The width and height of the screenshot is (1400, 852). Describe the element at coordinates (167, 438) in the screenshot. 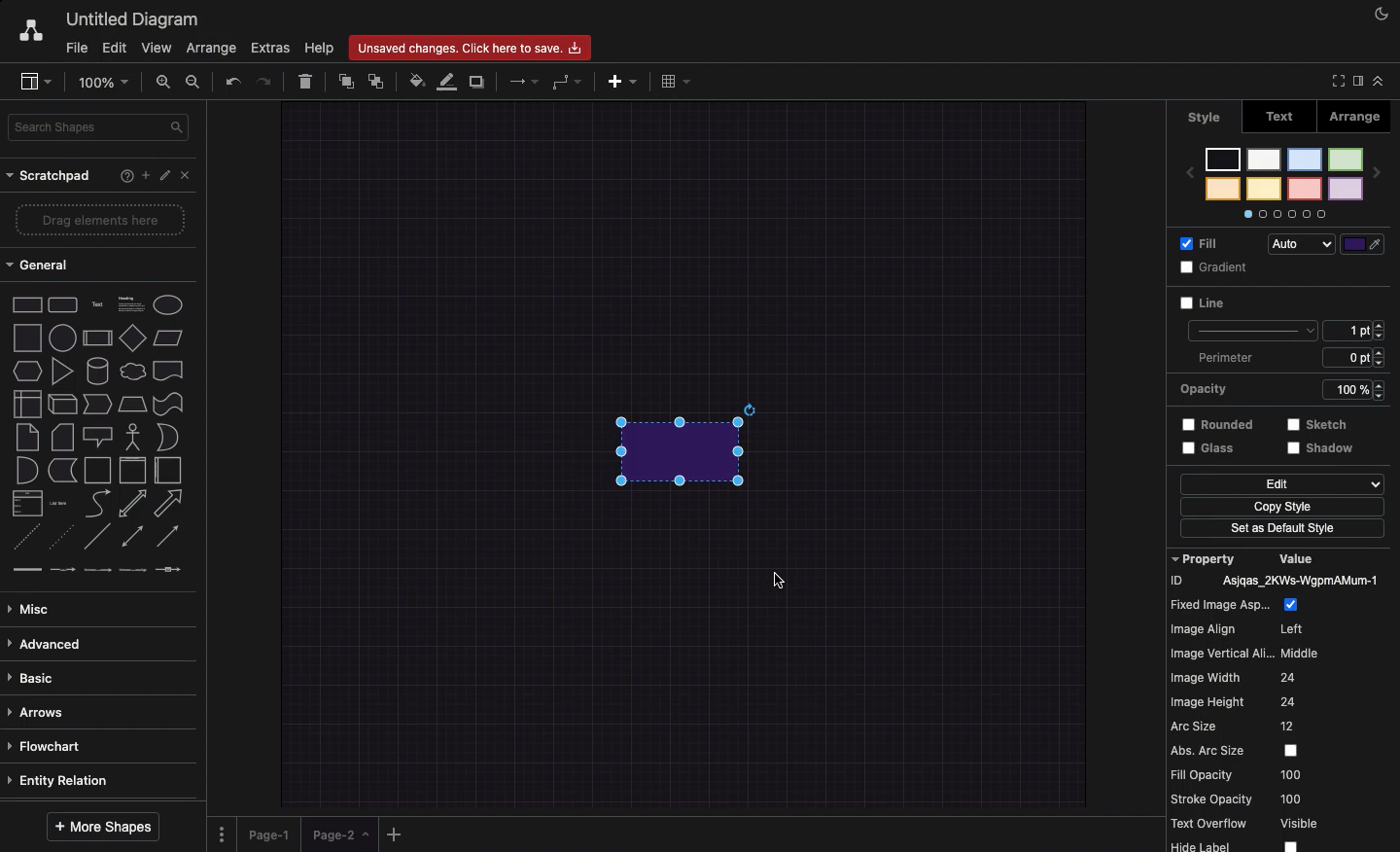

I see `or` at that location.